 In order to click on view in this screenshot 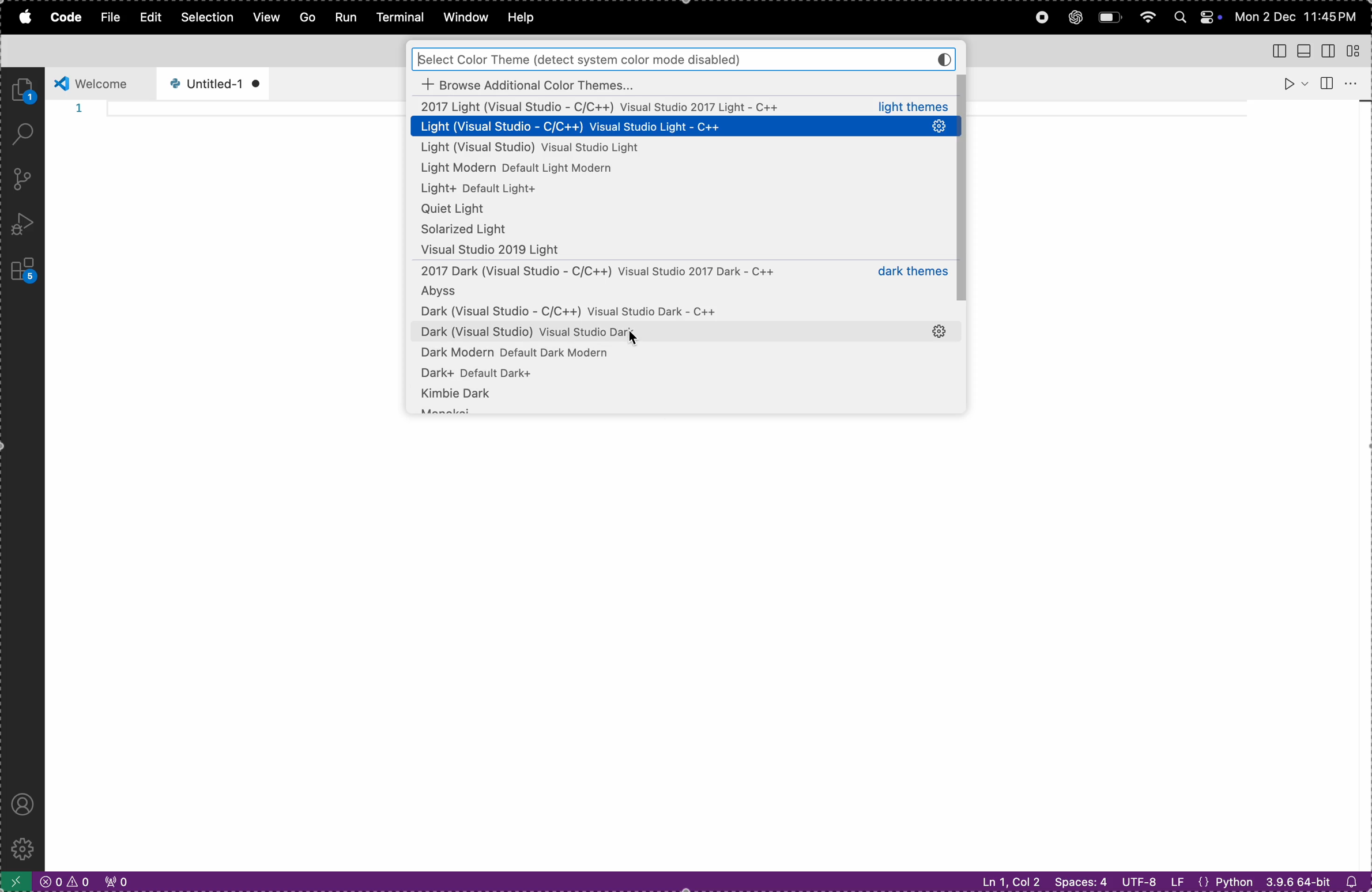, I will do `click(265, 17)`.